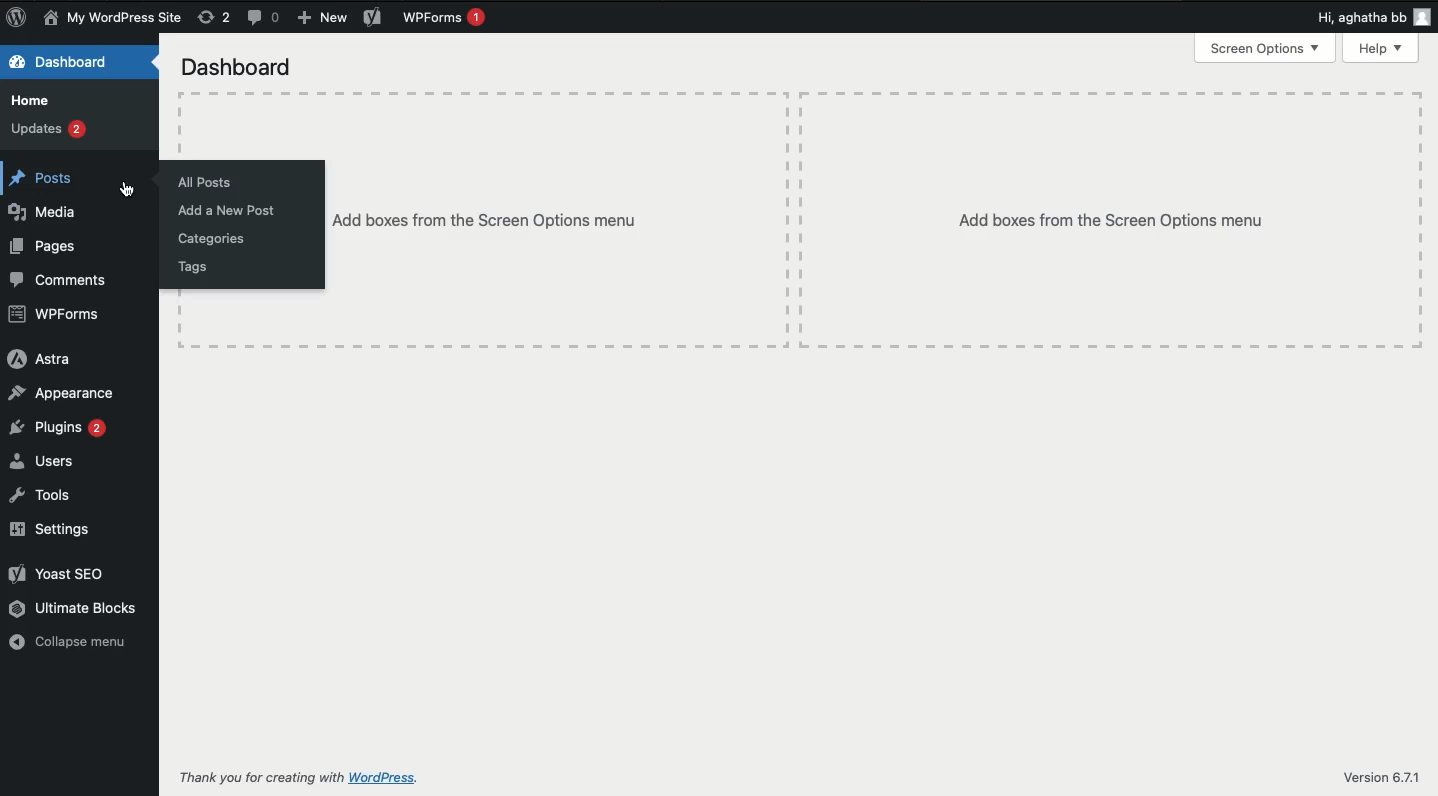  Describe the element at coordinates (266, 19) in the screenshot. I see `Comments` at that location.